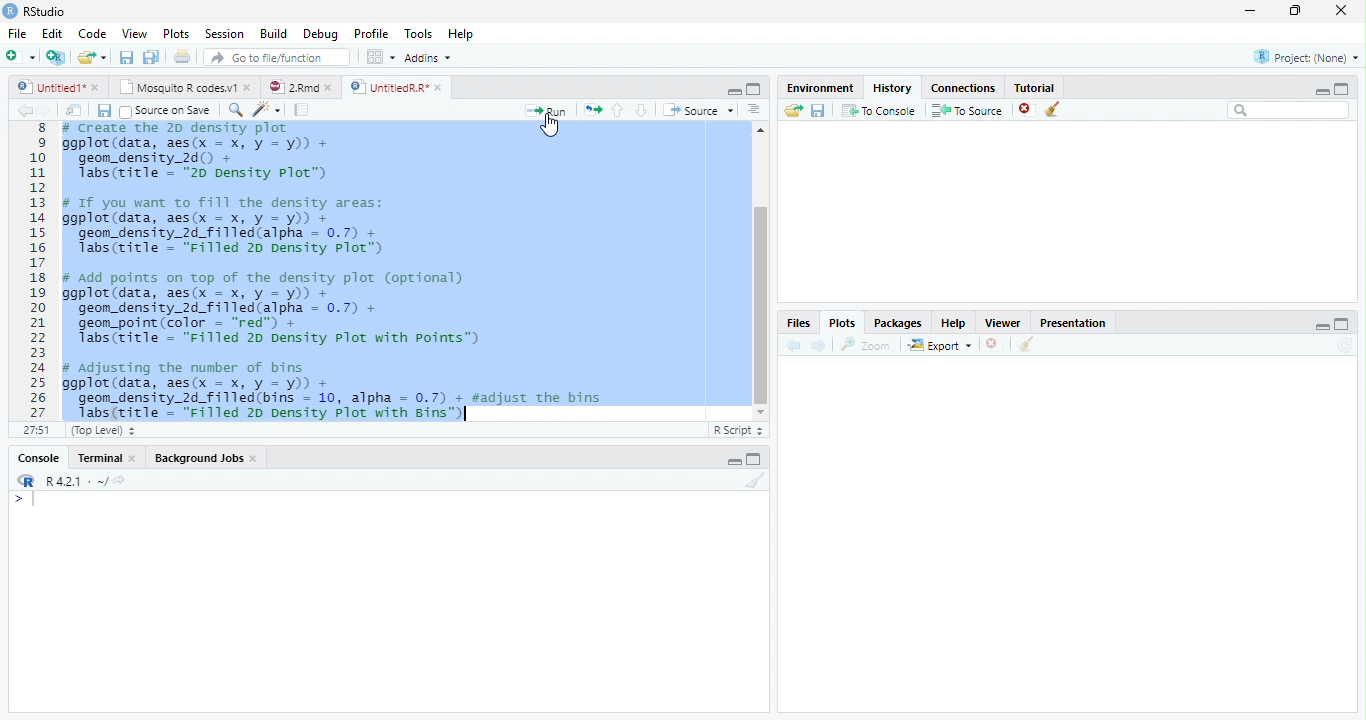 The width and height of the screenshot is (1366, 720). Describe the element at coordinates (760, 412) in the screenshot. I see `Scrollbar down` at that location.